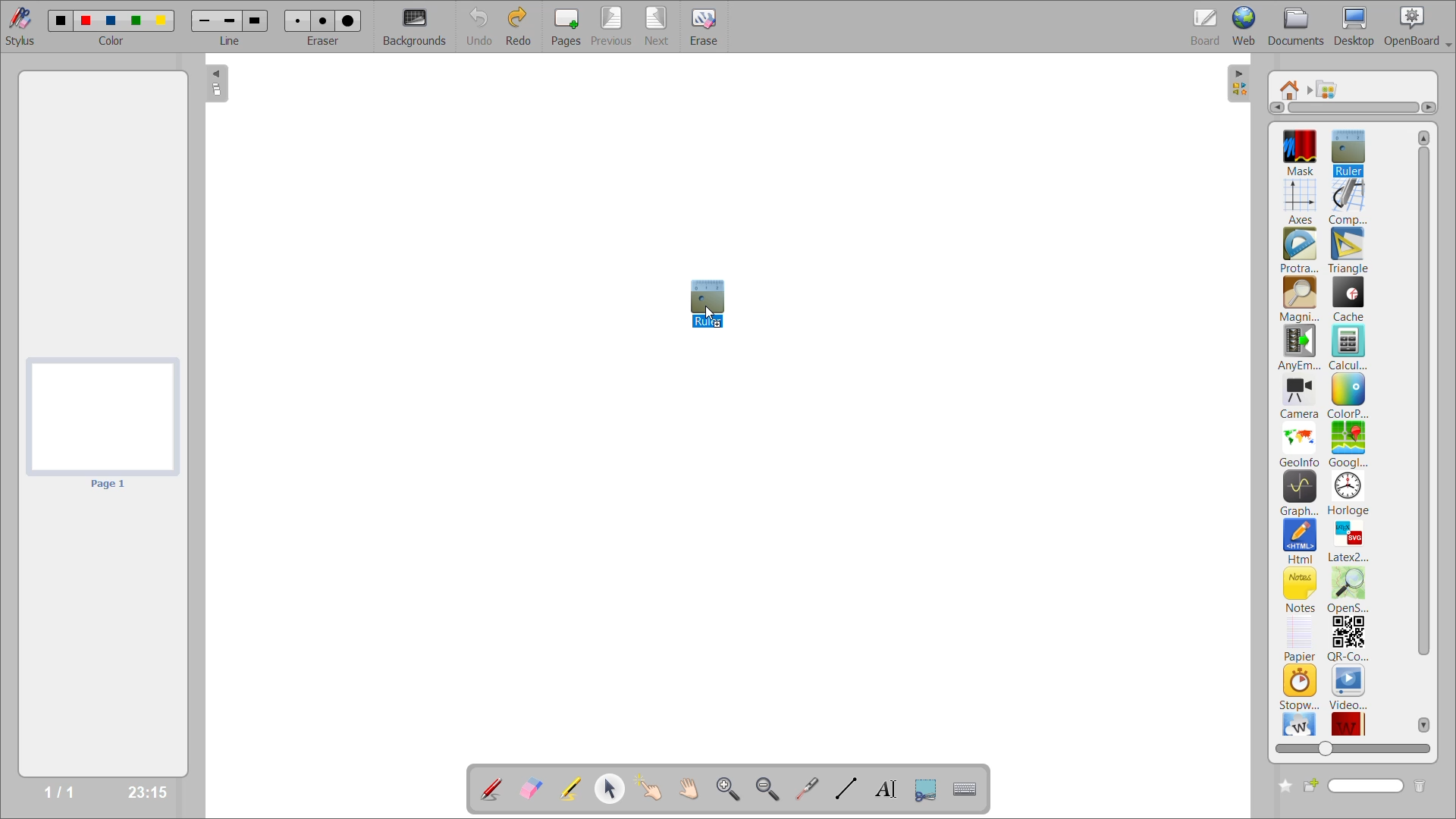  I want to click on delete, so click(1420, 786).